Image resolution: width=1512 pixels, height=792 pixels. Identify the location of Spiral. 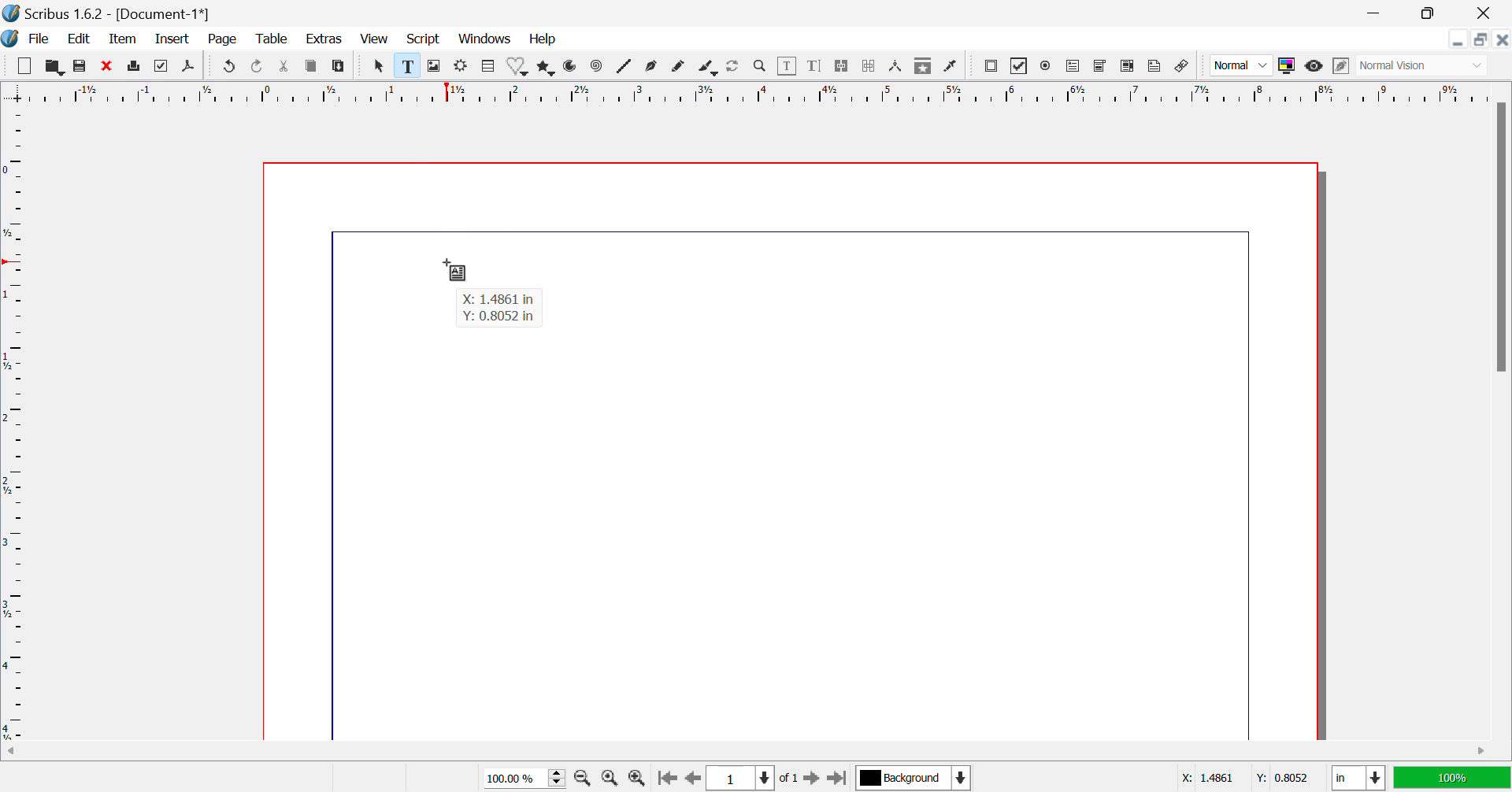
(595, 69).